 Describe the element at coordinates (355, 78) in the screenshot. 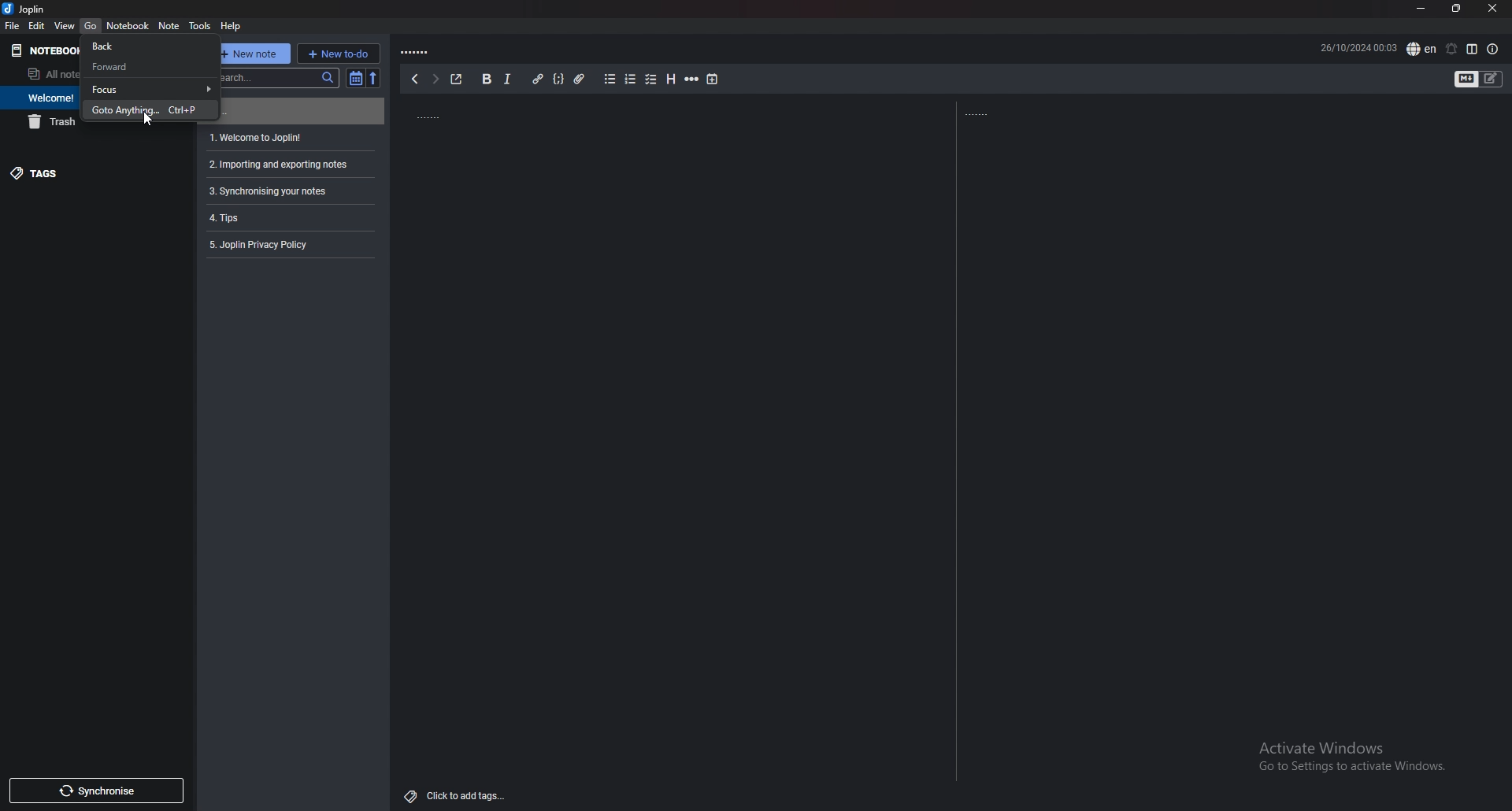

I see `toggle sort order field` at that location.